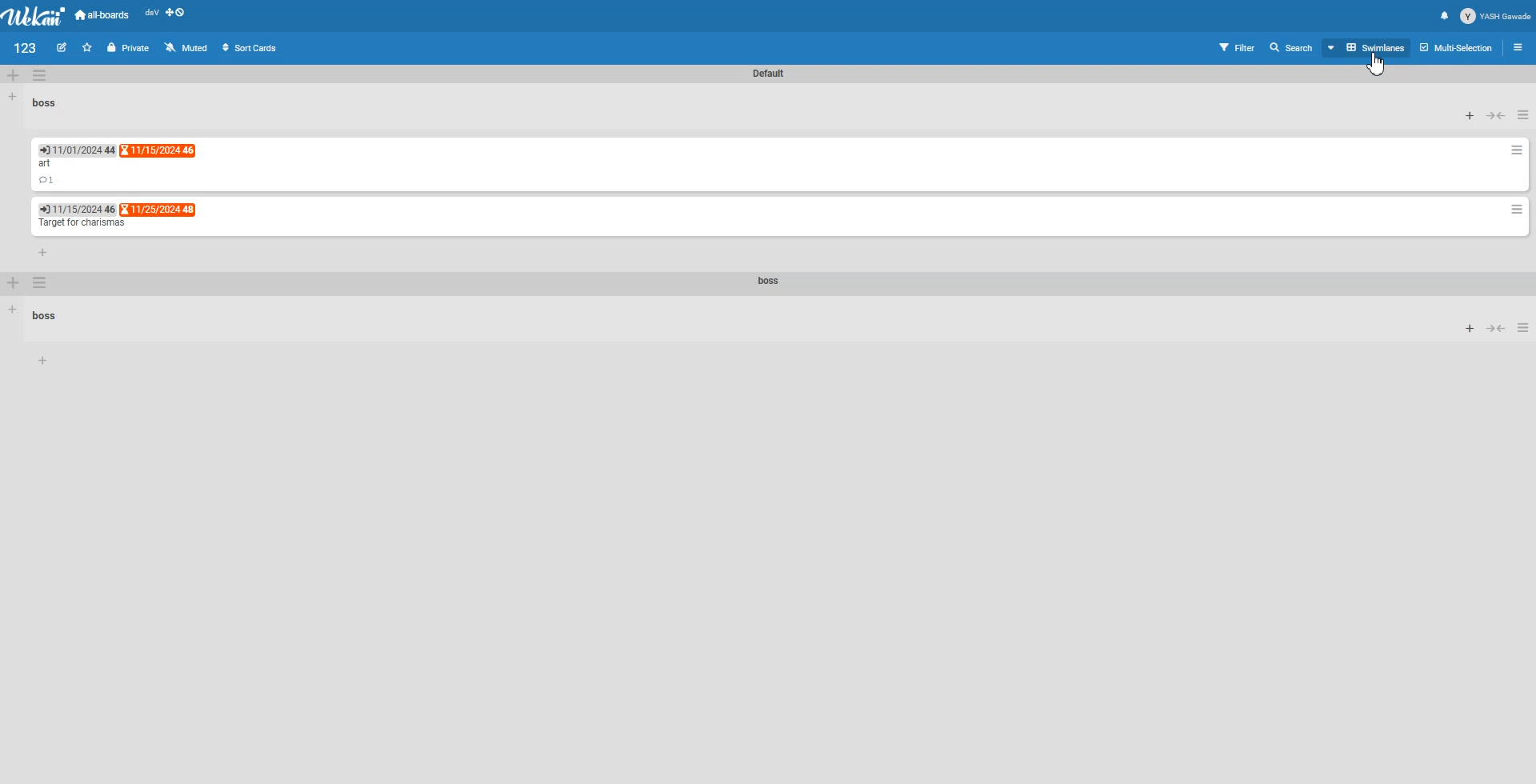  I want to click on Muted, so click(187, 46).